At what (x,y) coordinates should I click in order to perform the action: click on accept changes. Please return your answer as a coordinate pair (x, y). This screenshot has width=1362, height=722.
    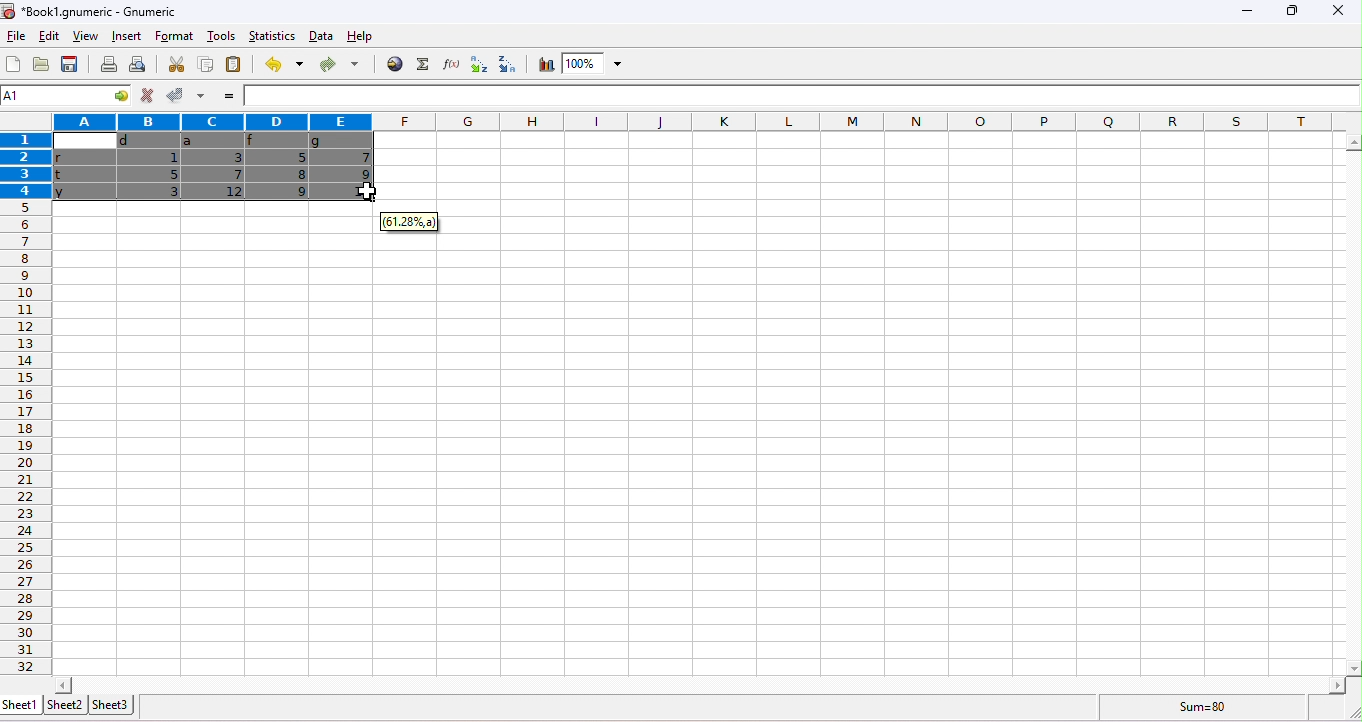
    Looking at the image, I should click on (176, 94).